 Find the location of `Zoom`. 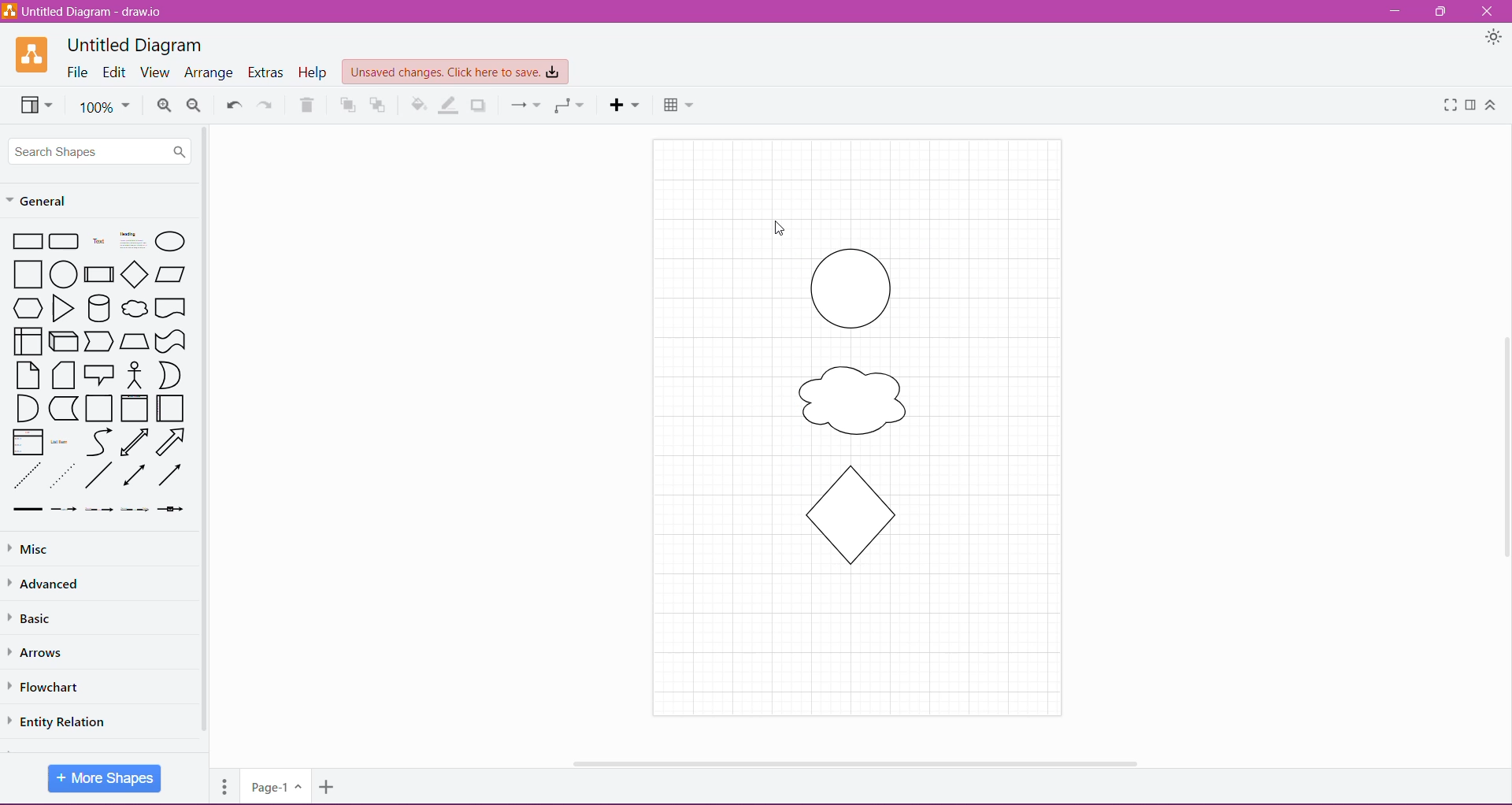

Zoom is located at coordinates (104, 106).